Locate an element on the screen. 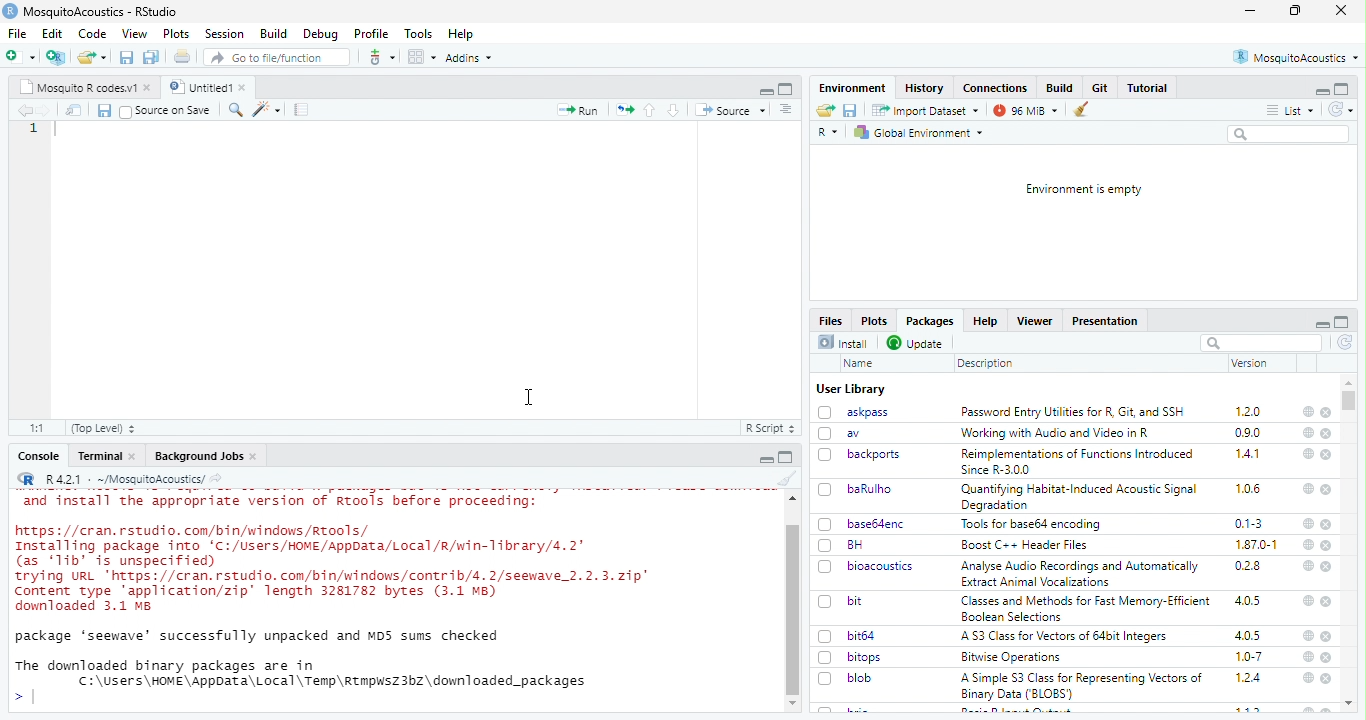  close is located at coordinates (149, 88).